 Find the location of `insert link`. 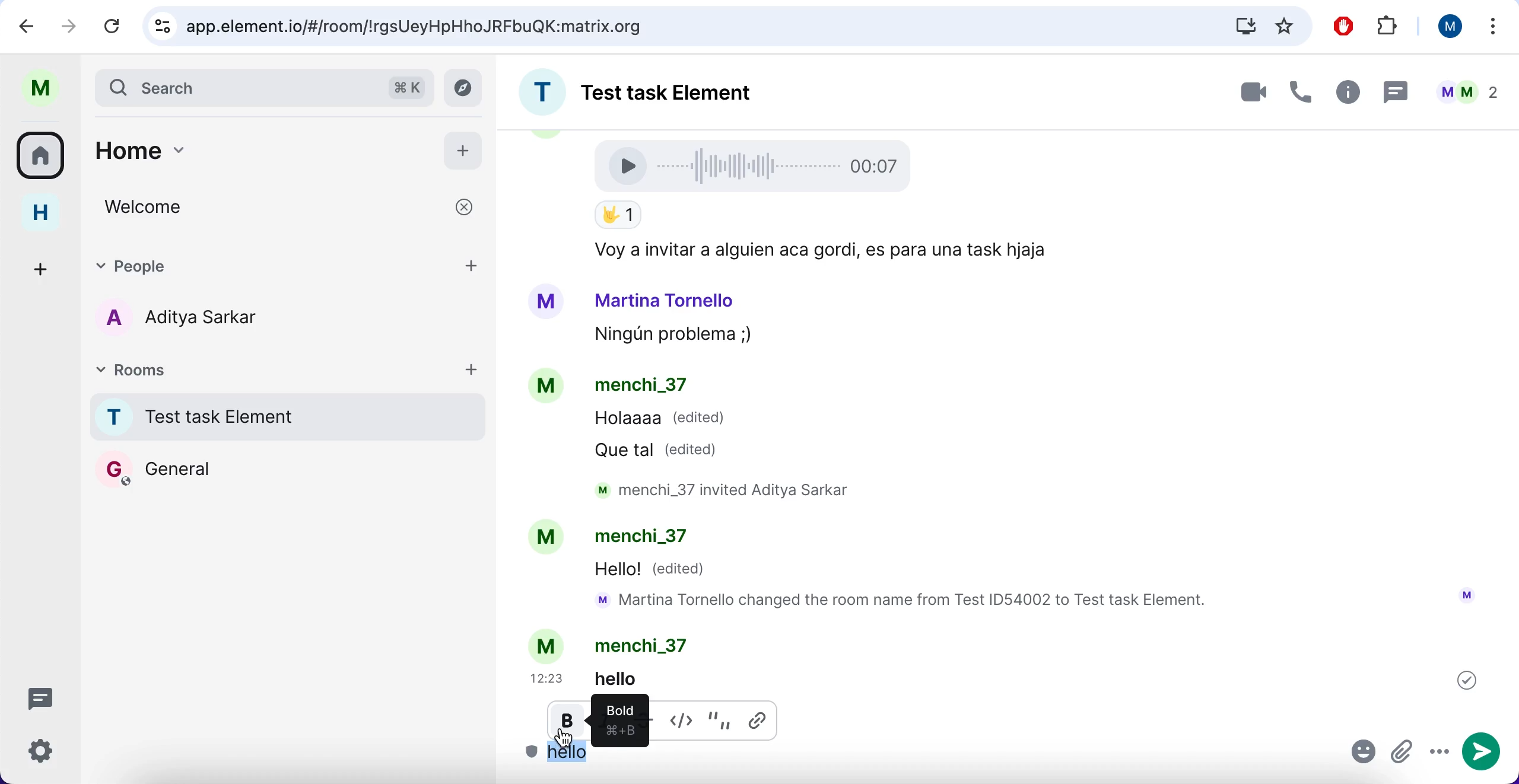

insert link is located at coordinates (761, 719).